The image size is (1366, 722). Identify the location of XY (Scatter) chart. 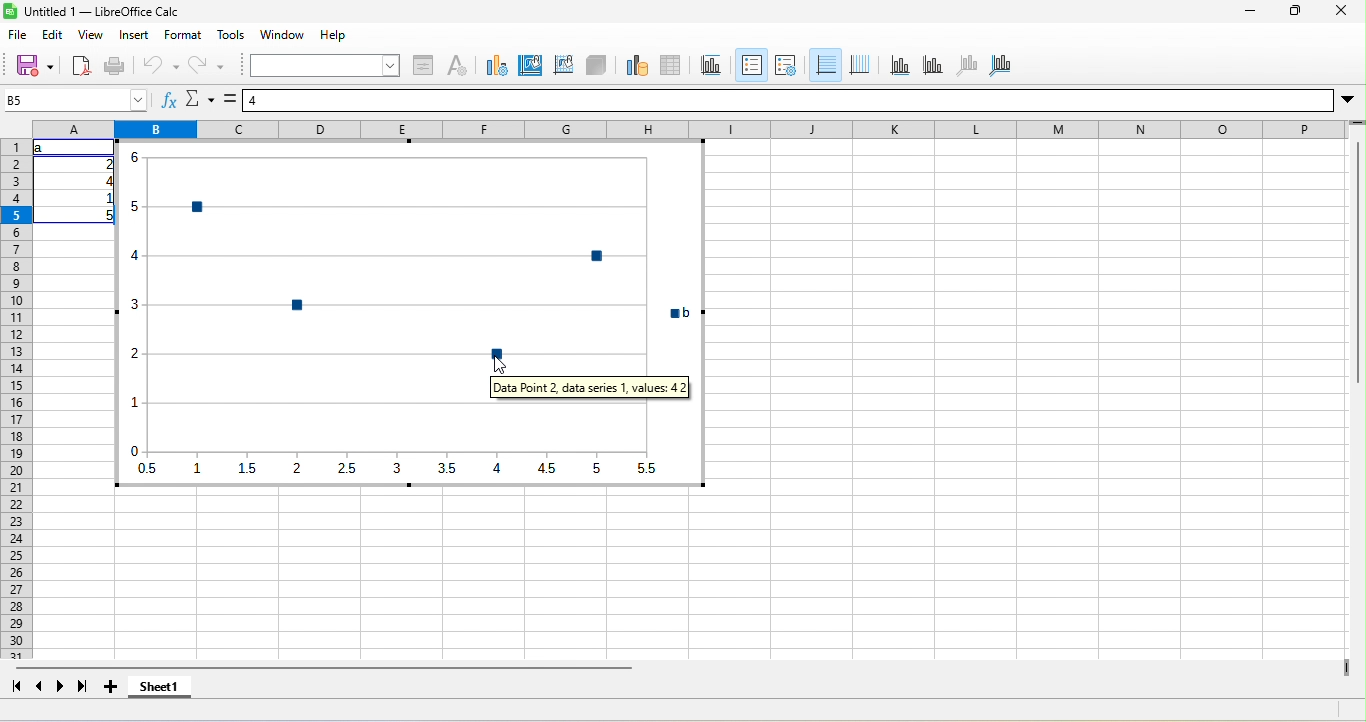
(410, 257).